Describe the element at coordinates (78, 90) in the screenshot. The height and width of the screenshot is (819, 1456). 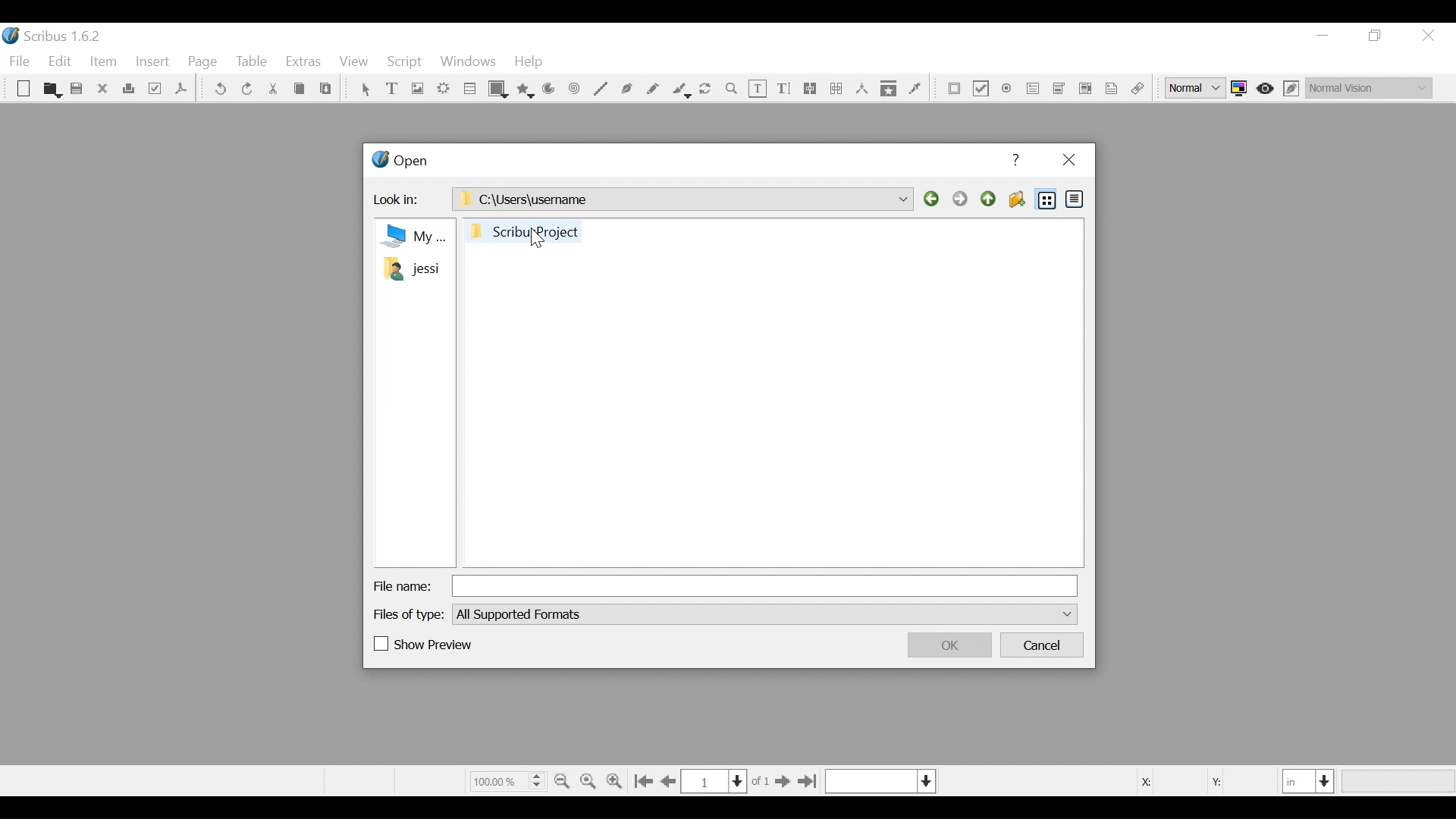
I see `Save` at that location.